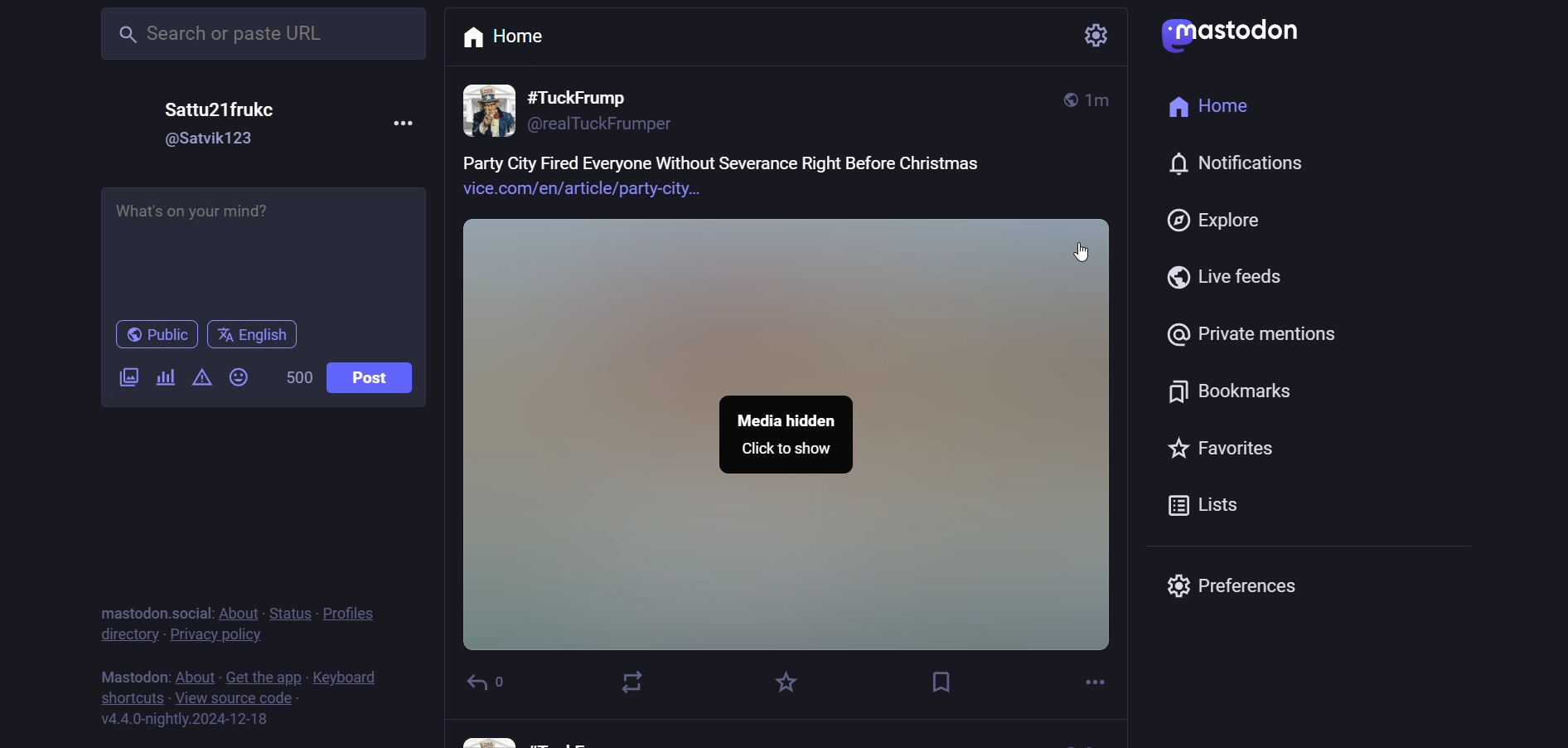 The image size is (1568, 748). Describe the element at coordinates (1097, 682) in the screenshot. I see `more` at that location.